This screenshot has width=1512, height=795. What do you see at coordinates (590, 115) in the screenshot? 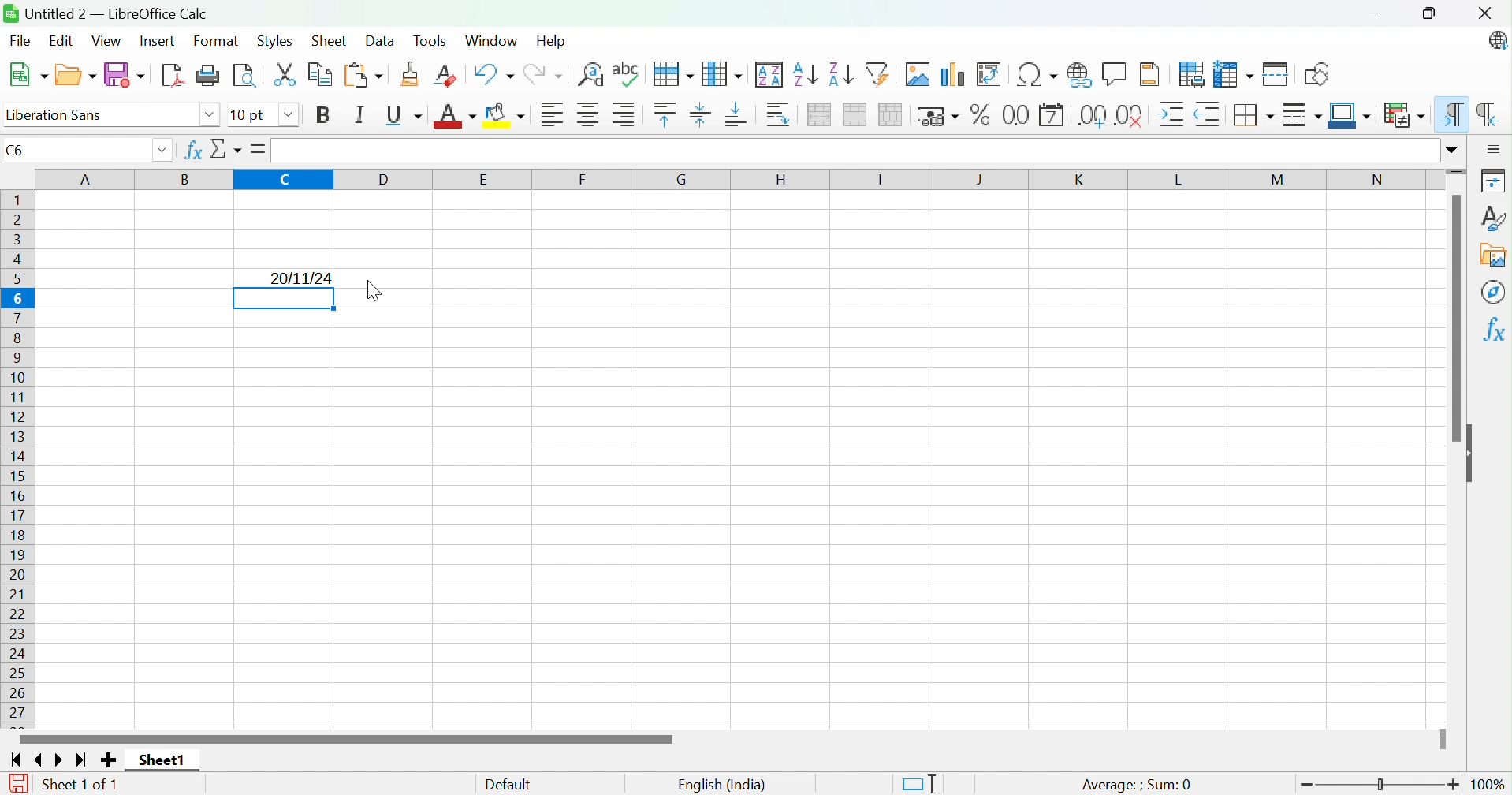
I see `Align center` at bounding box center [590, 115].